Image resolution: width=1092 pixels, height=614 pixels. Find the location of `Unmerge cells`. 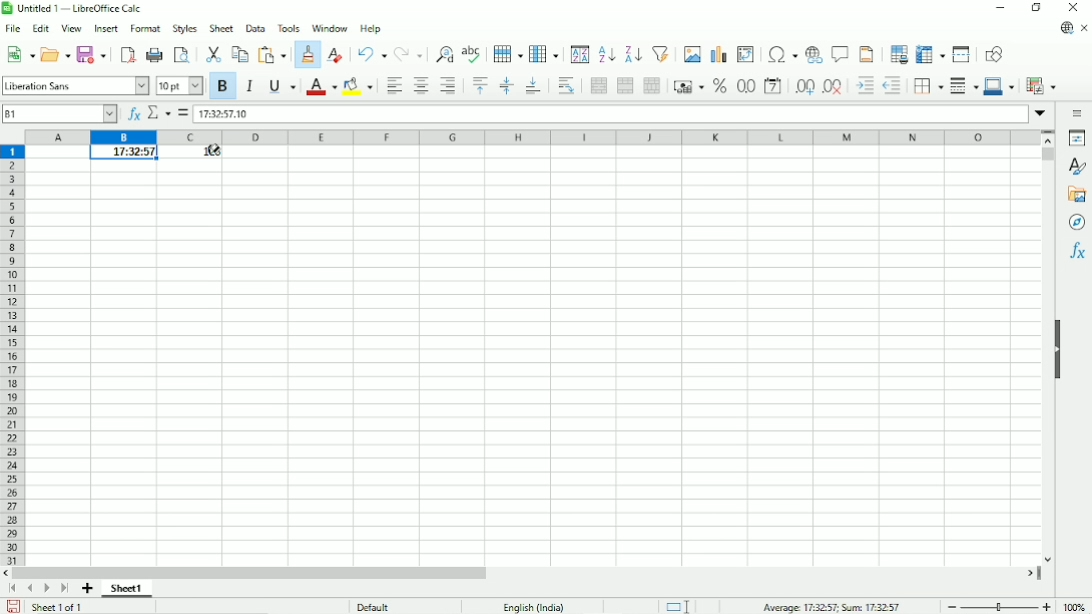

Unmerge cells is located at coordinates (652, 86).